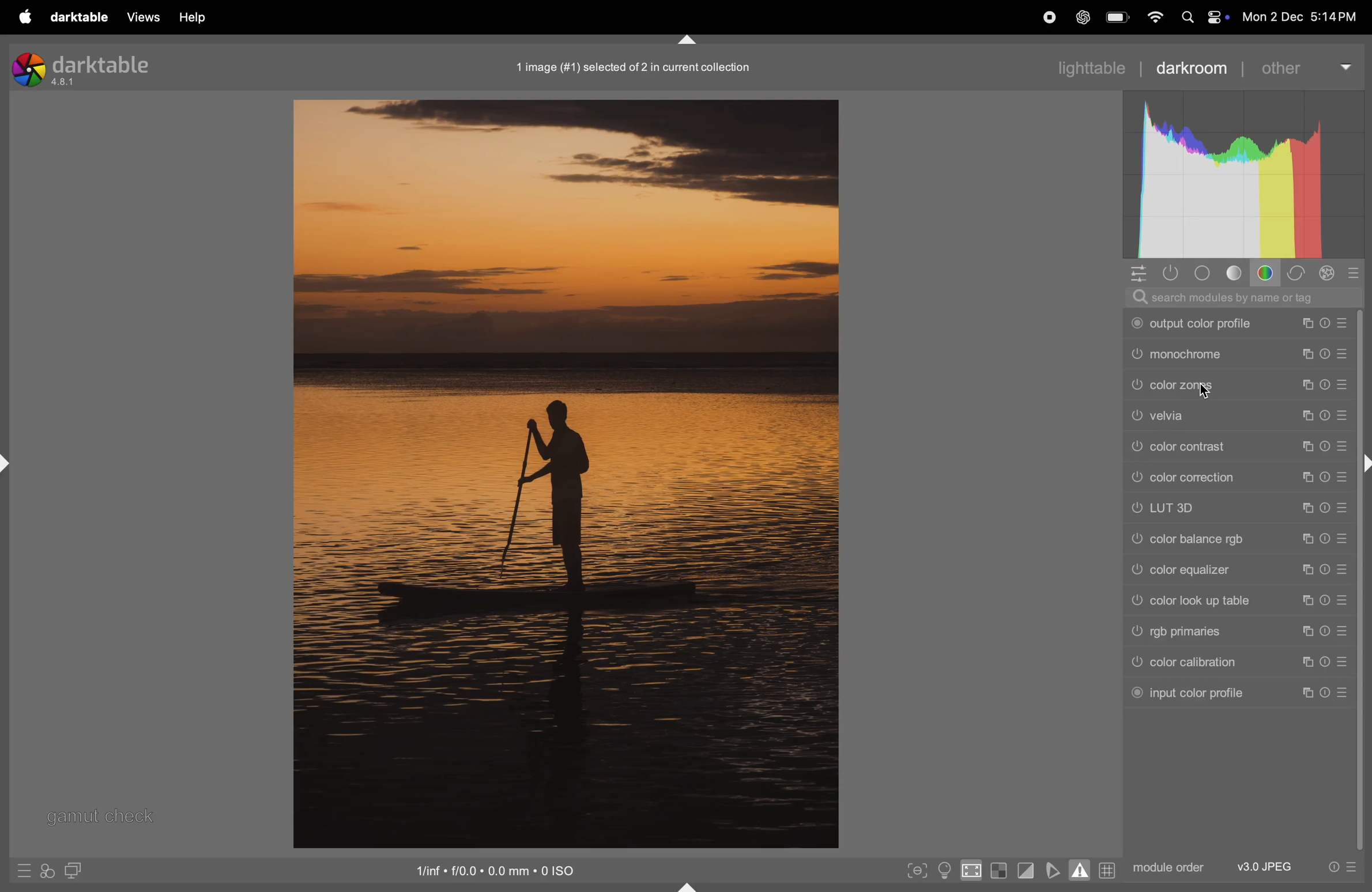 This screenshot has width=1372, height=892. Describe the element at coordinates (1169, 870) in the screenshot. I see `module order` at that location.